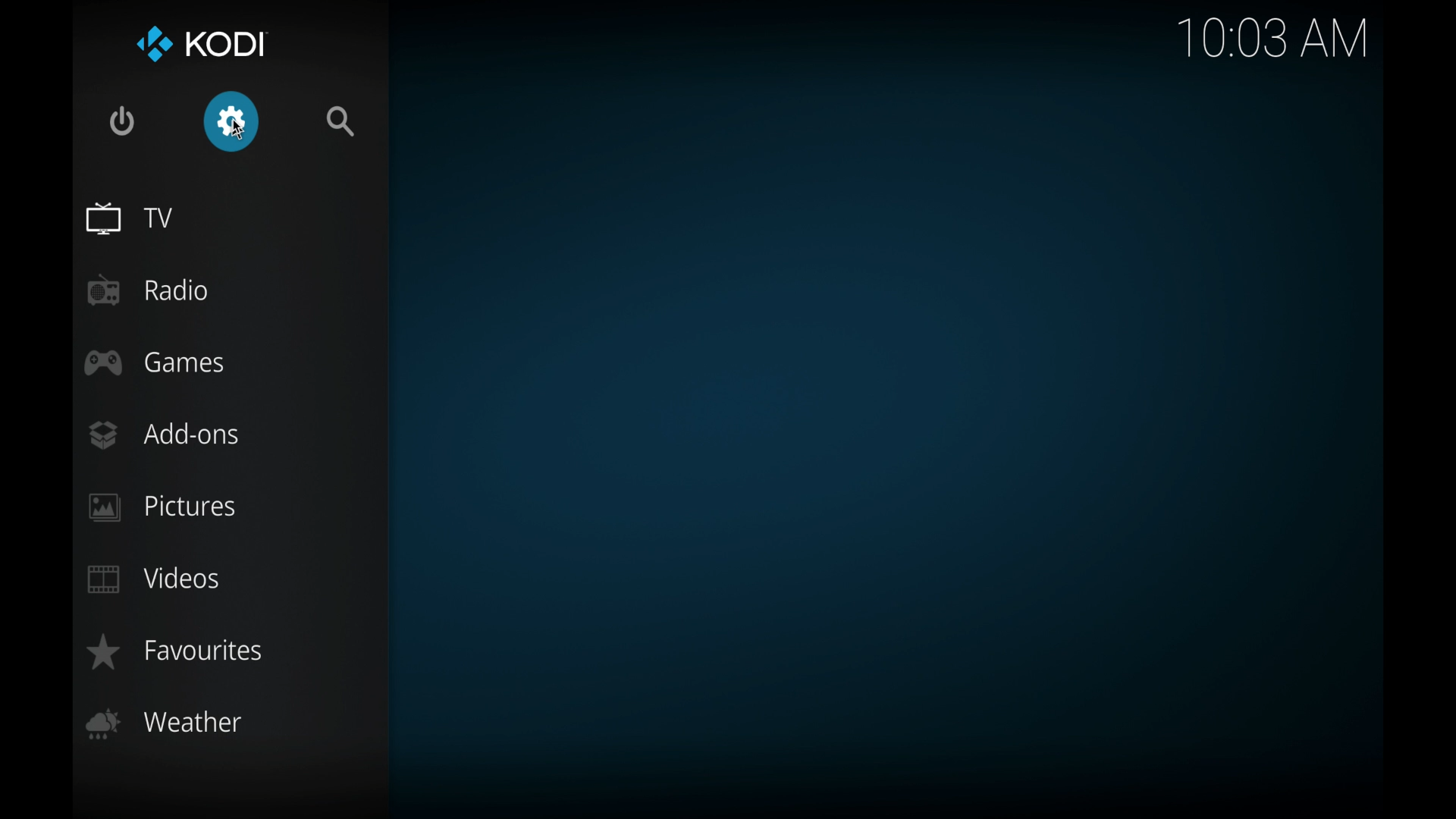 The height and width of the screenshot is (819, 1456). Describe the element at coordinates (130, 218) in the screenshot. I see `TV` at that location.